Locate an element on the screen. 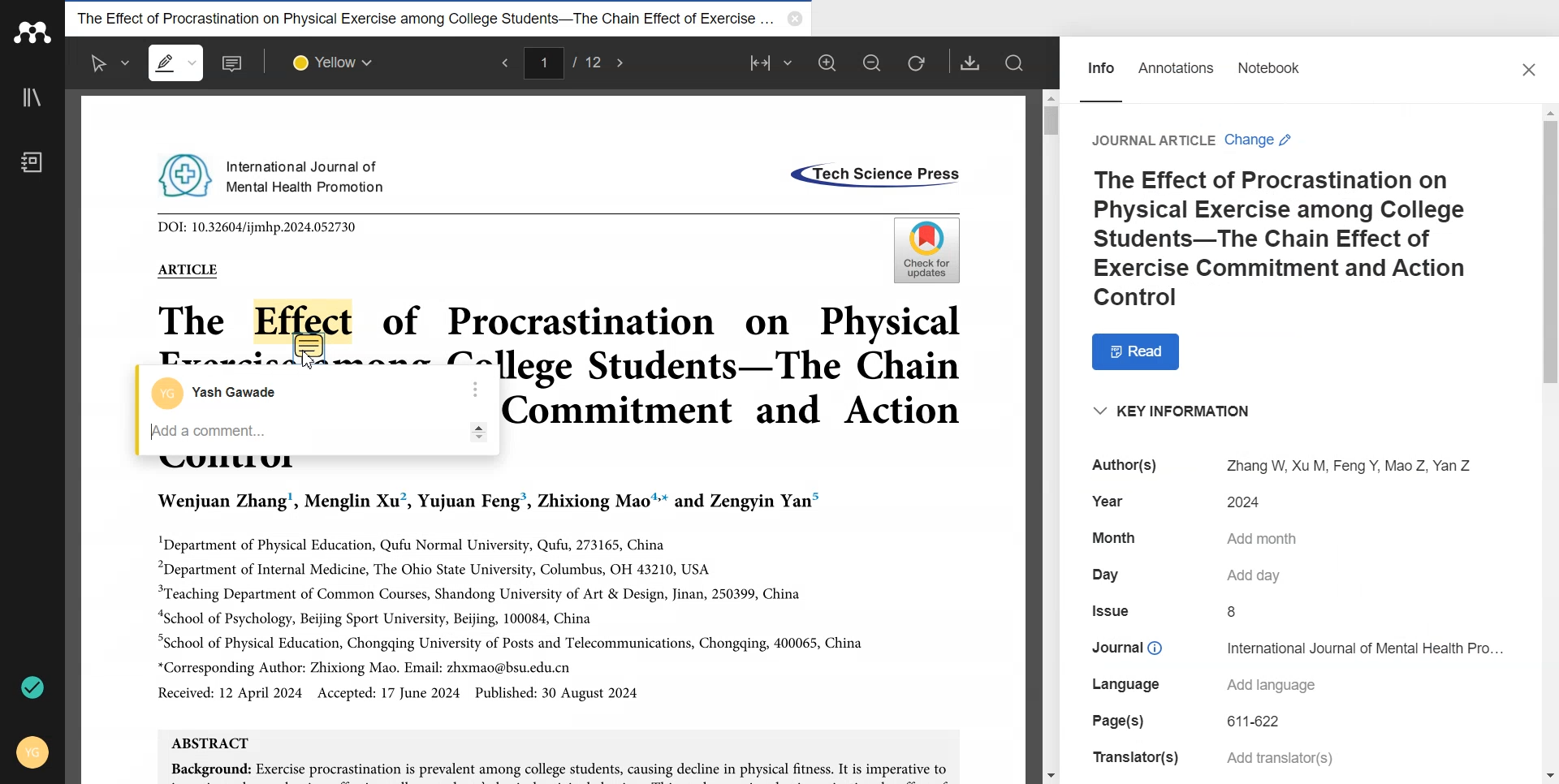 This screenshot has width=1559, height=784. Zoom in is located at coordinates (827, 62).